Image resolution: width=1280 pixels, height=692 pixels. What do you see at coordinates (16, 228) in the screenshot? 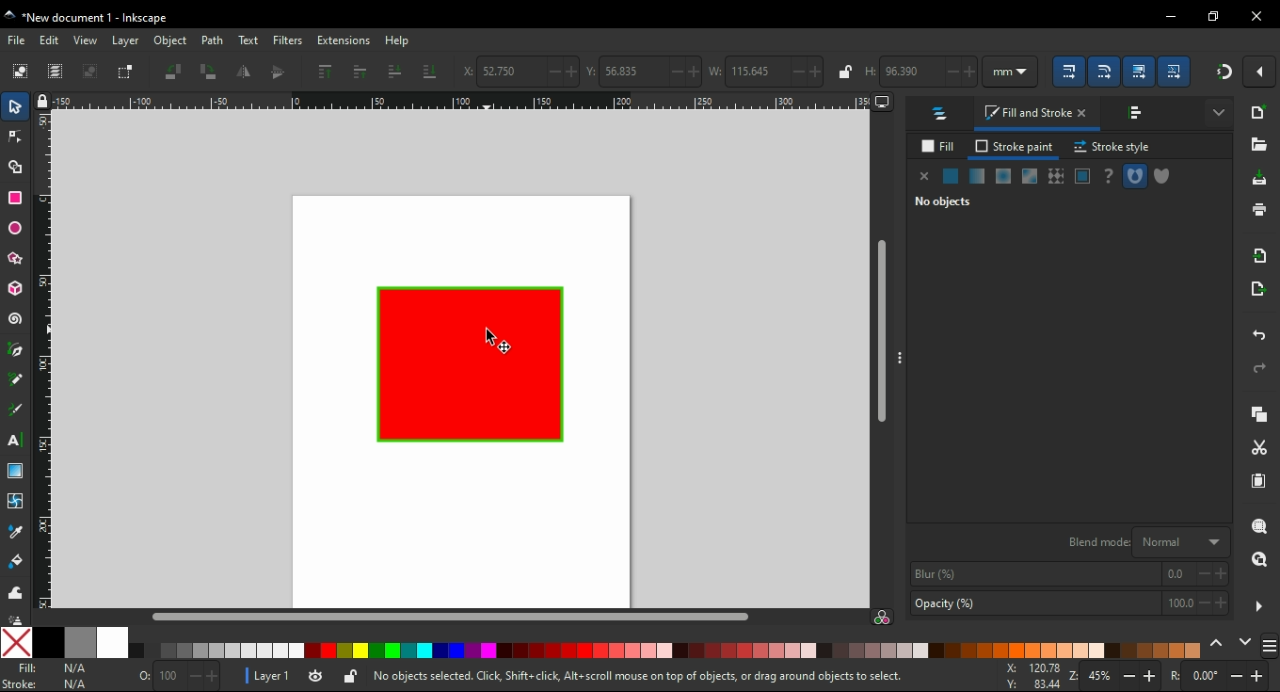
I see `ellipse/arc tool` at bounding box center [16, 228].